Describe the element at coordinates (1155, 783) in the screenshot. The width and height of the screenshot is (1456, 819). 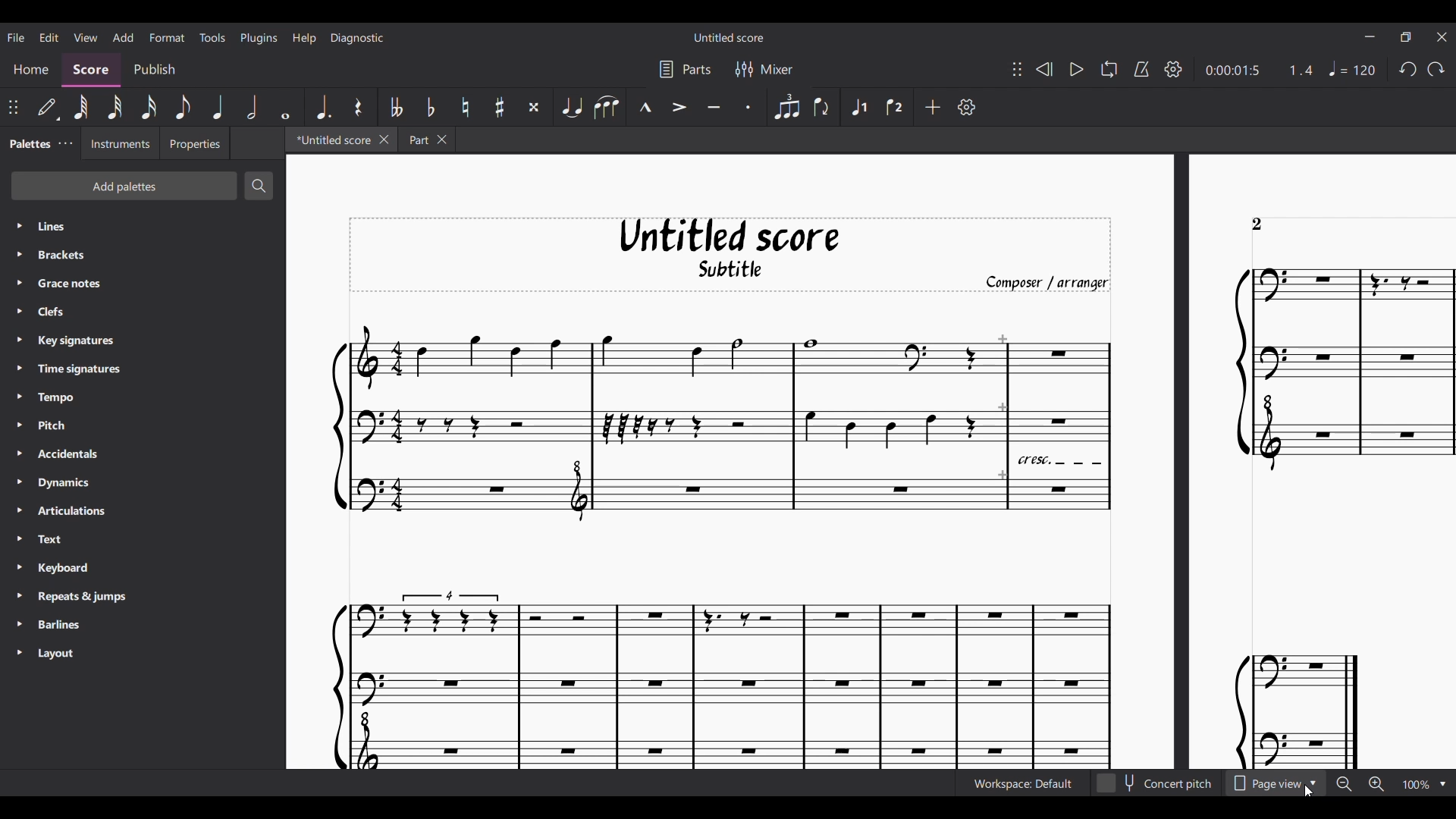
I see `Toggle for Concert pitch` at that location.